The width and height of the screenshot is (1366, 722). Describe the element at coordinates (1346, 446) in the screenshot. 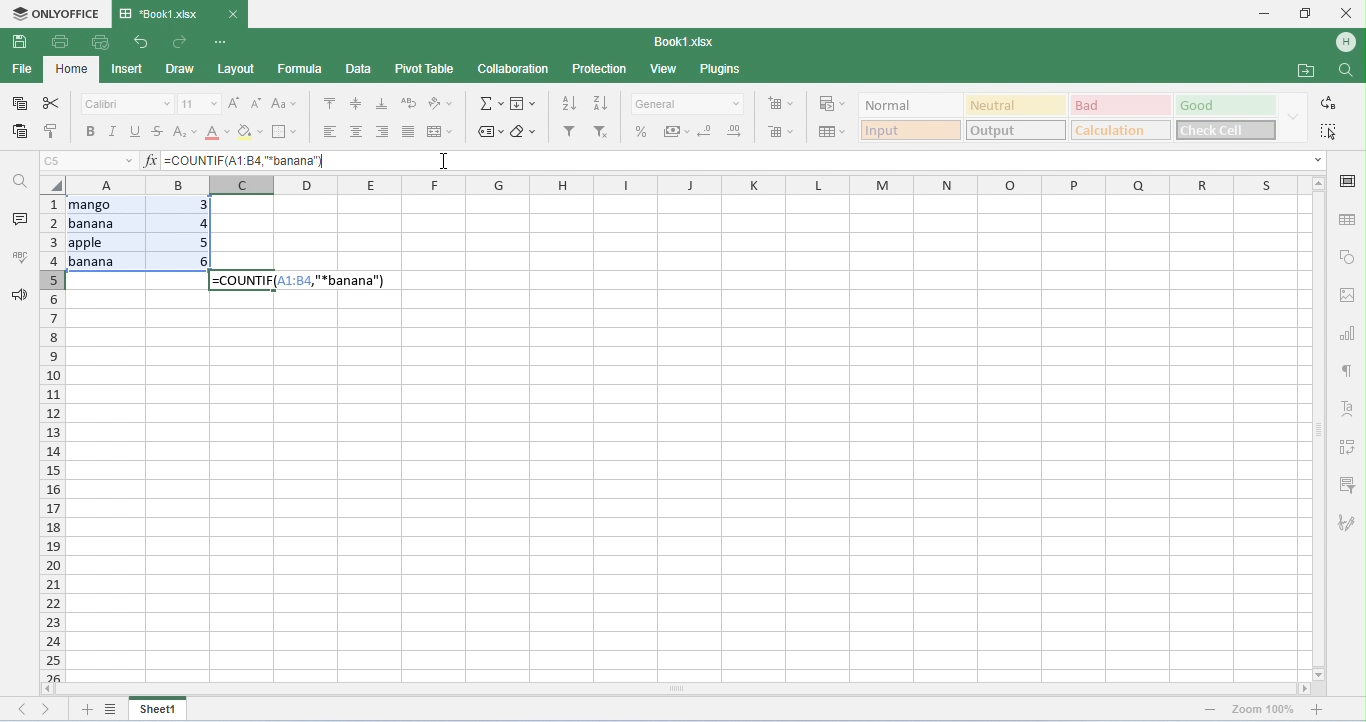

I see `pivot table settings` at that location.